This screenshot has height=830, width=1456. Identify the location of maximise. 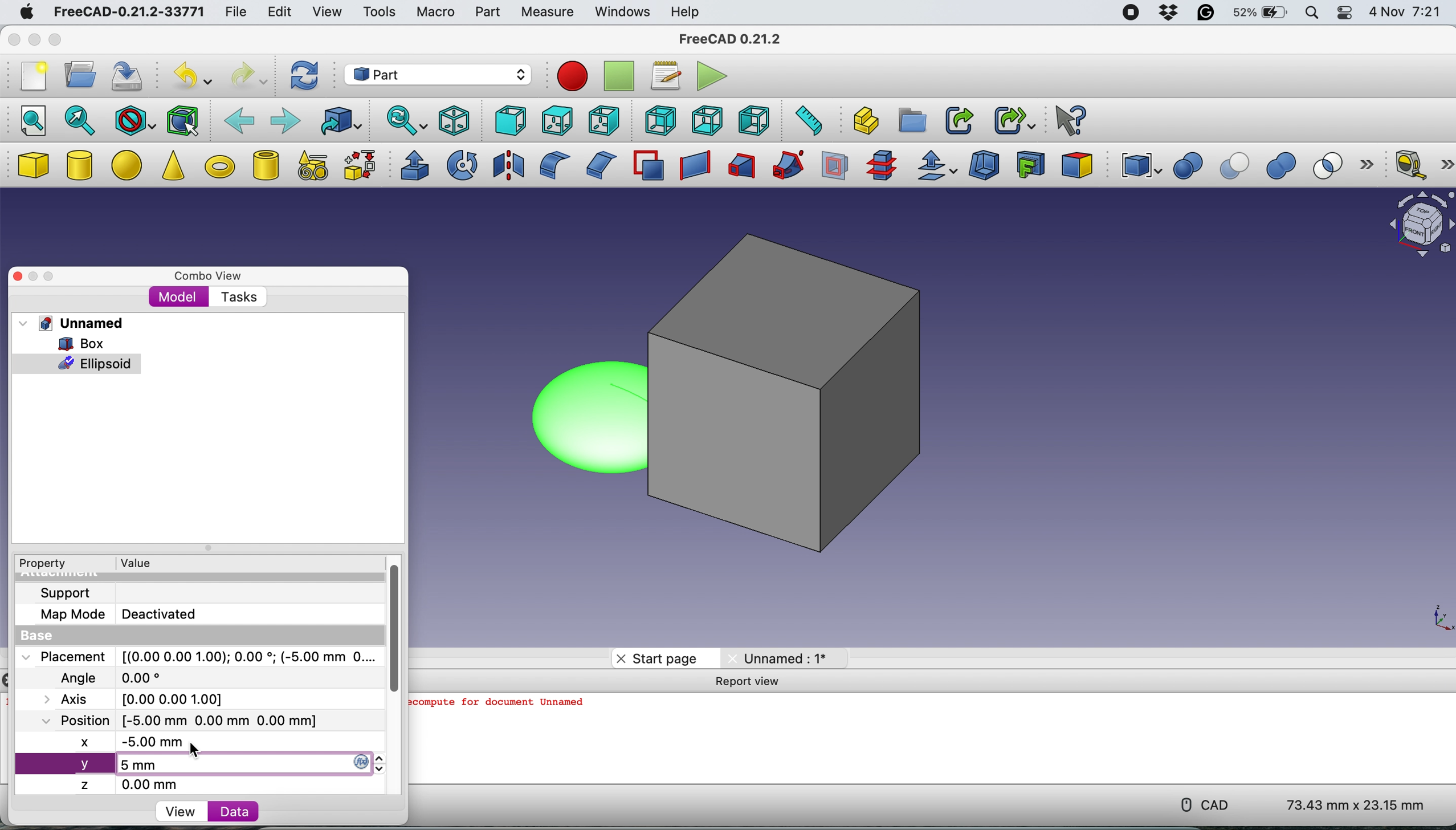
(60, 274).